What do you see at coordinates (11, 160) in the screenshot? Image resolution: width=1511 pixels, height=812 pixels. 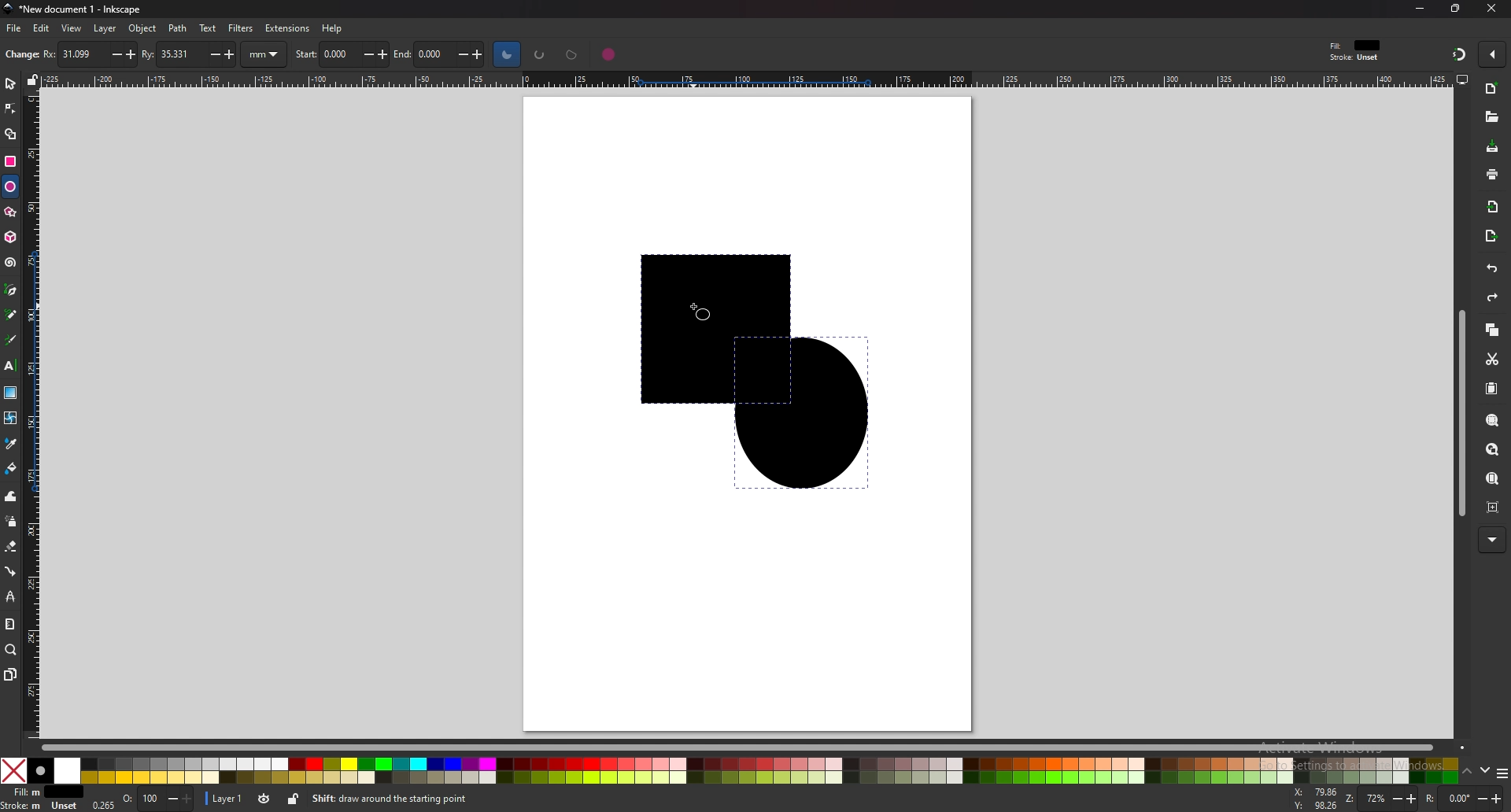 I see `rectangle` at bounding box center [11, 160].